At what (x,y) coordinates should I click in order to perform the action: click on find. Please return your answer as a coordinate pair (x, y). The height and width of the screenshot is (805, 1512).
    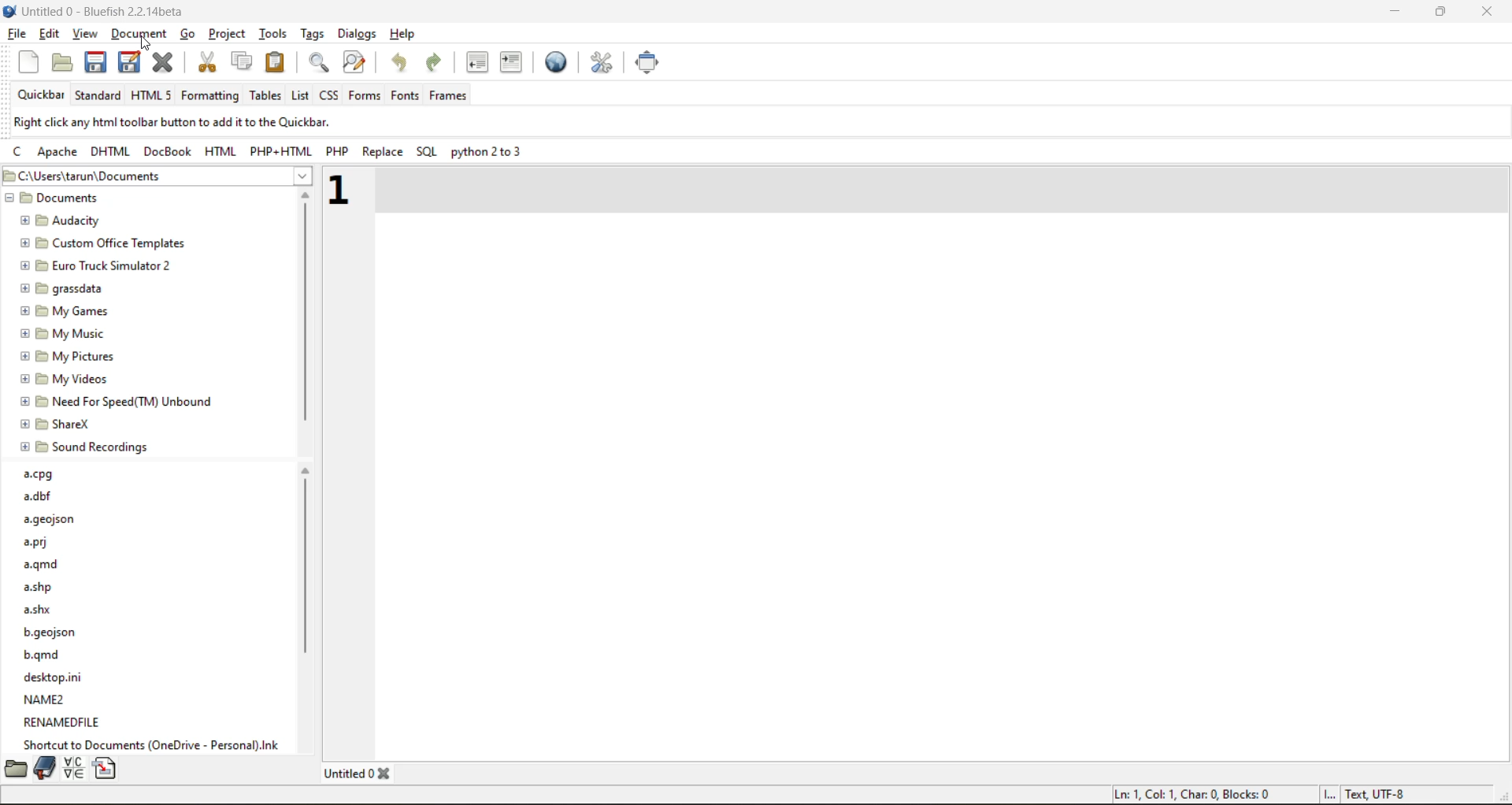
    Looking at the image, I should click on (320, 64).